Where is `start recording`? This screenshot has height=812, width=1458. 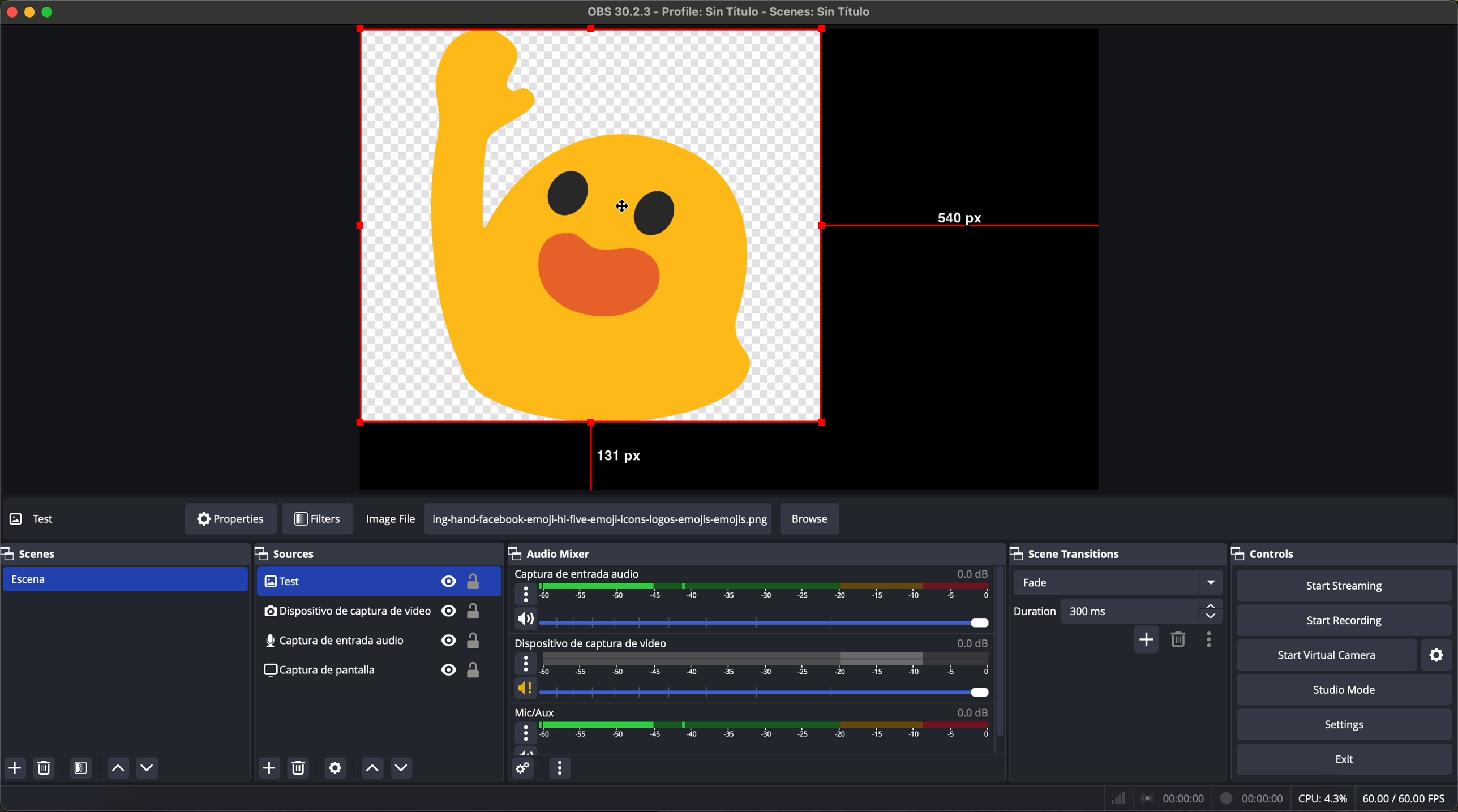
start recording is located at coordinates (1346, 621).